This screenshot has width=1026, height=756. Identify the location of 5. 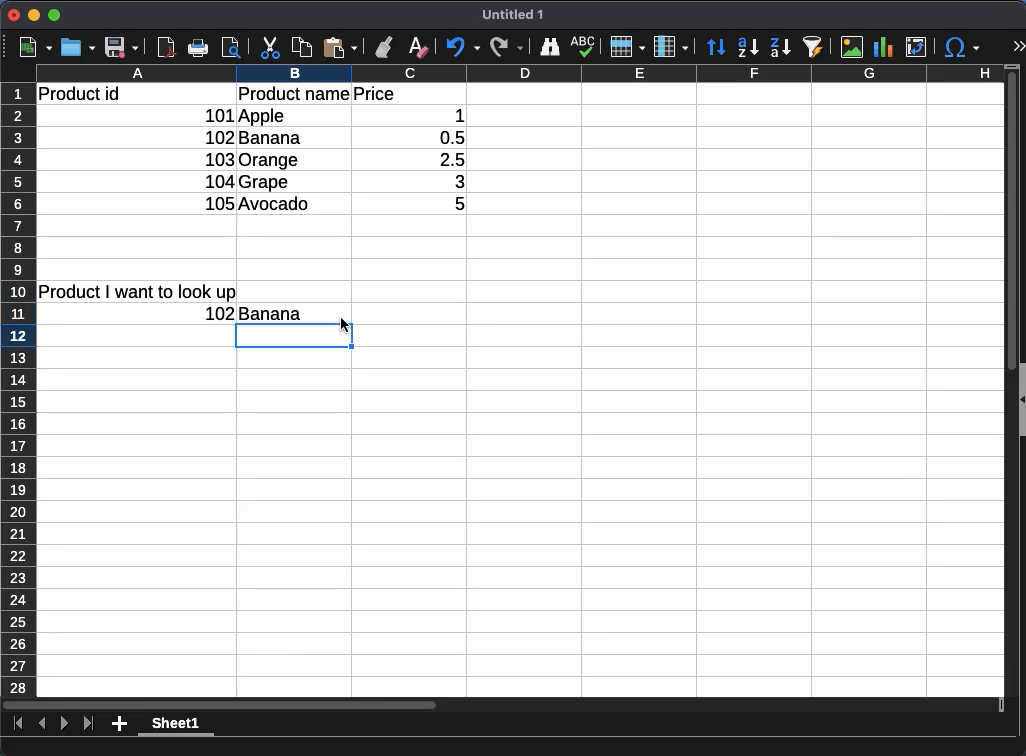
(449, 203).